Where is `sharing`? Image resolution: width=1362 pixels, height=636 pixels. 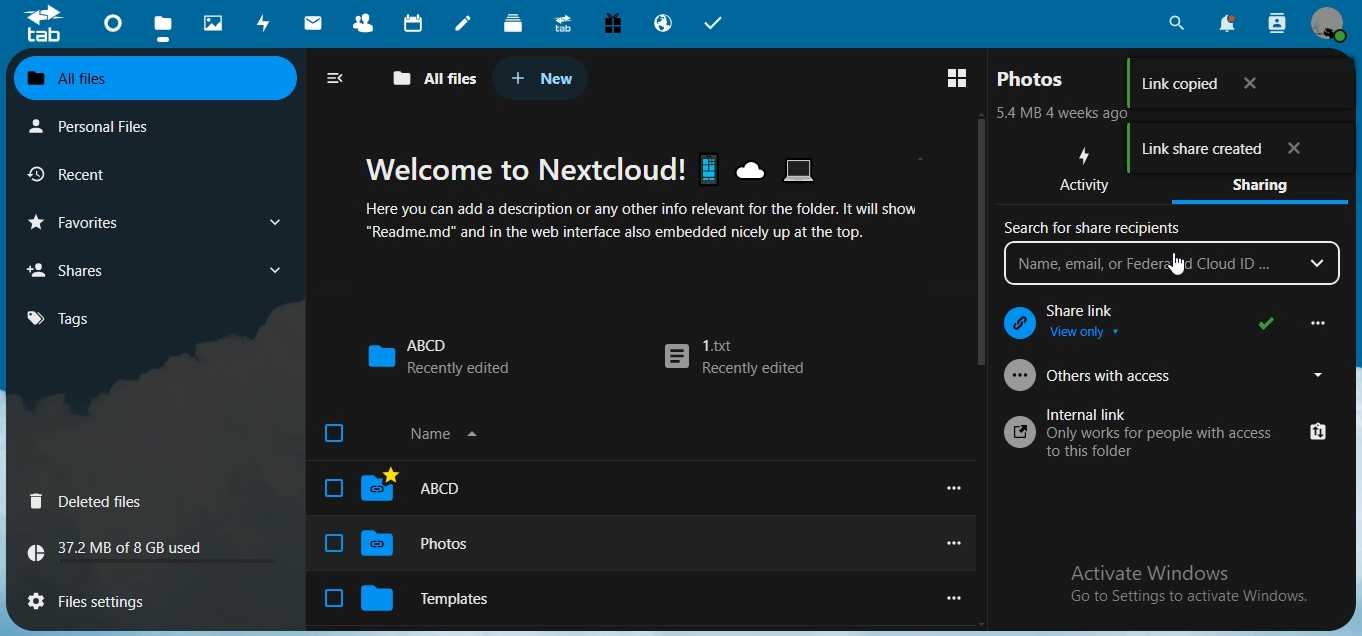
sharing is located at coordinates (1268, 189).